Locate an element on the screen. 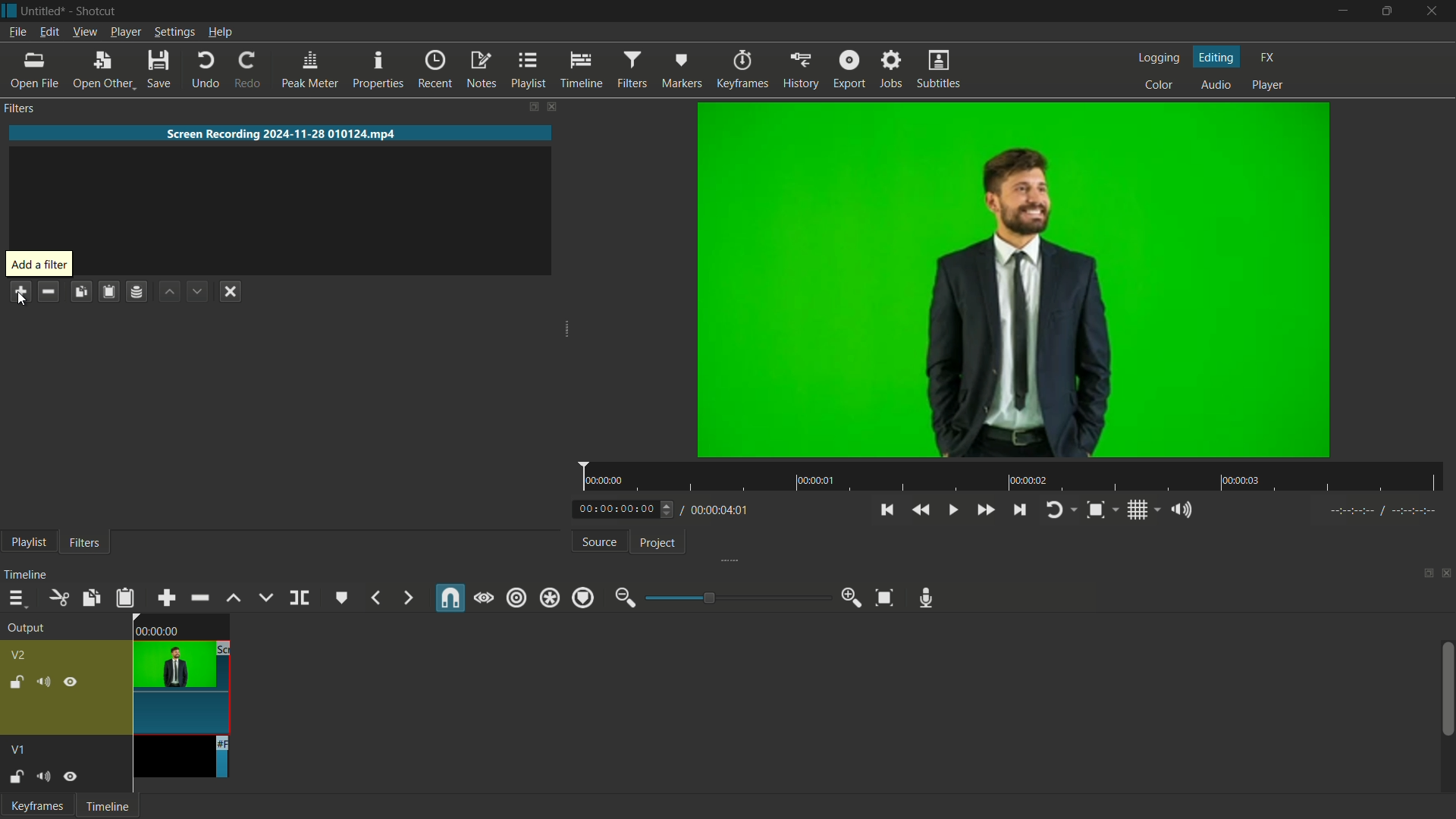  move filter down is located at coordinates (197, 291).